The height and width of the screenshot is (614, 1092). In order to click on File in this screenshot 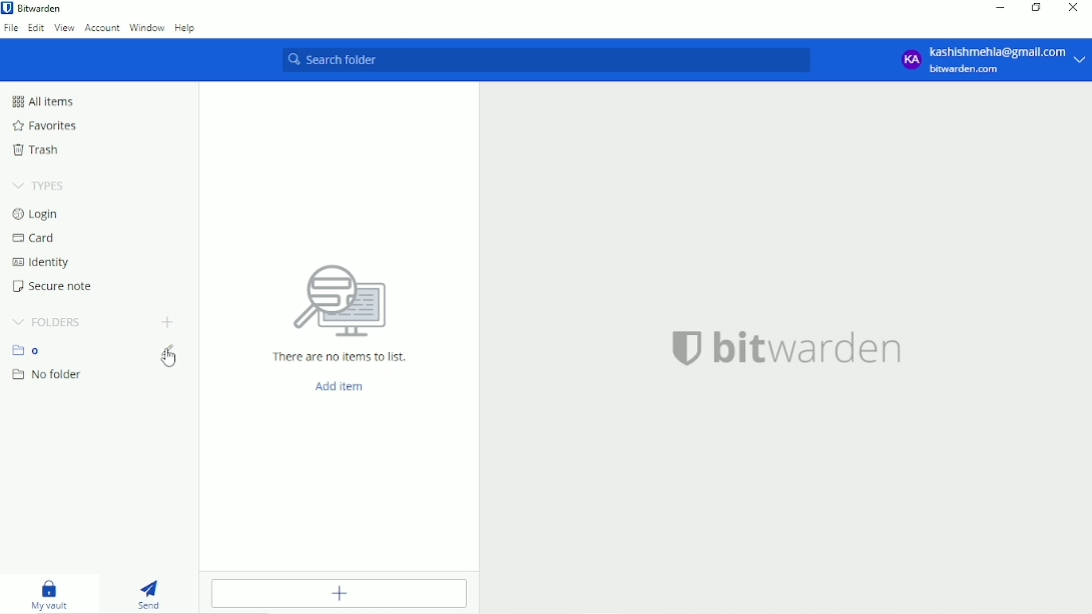, I will do `click(11, 28)`.